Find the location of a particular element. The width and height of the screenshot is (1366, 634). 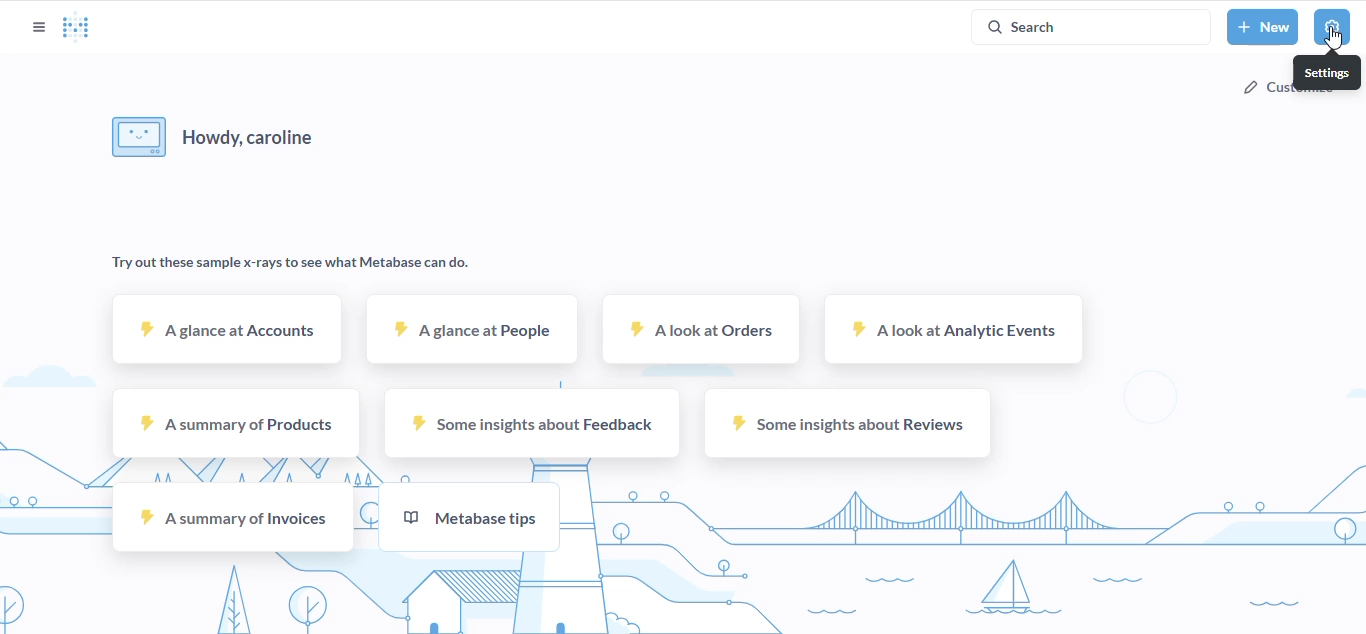

settings is located at coordinates (1333, 27).